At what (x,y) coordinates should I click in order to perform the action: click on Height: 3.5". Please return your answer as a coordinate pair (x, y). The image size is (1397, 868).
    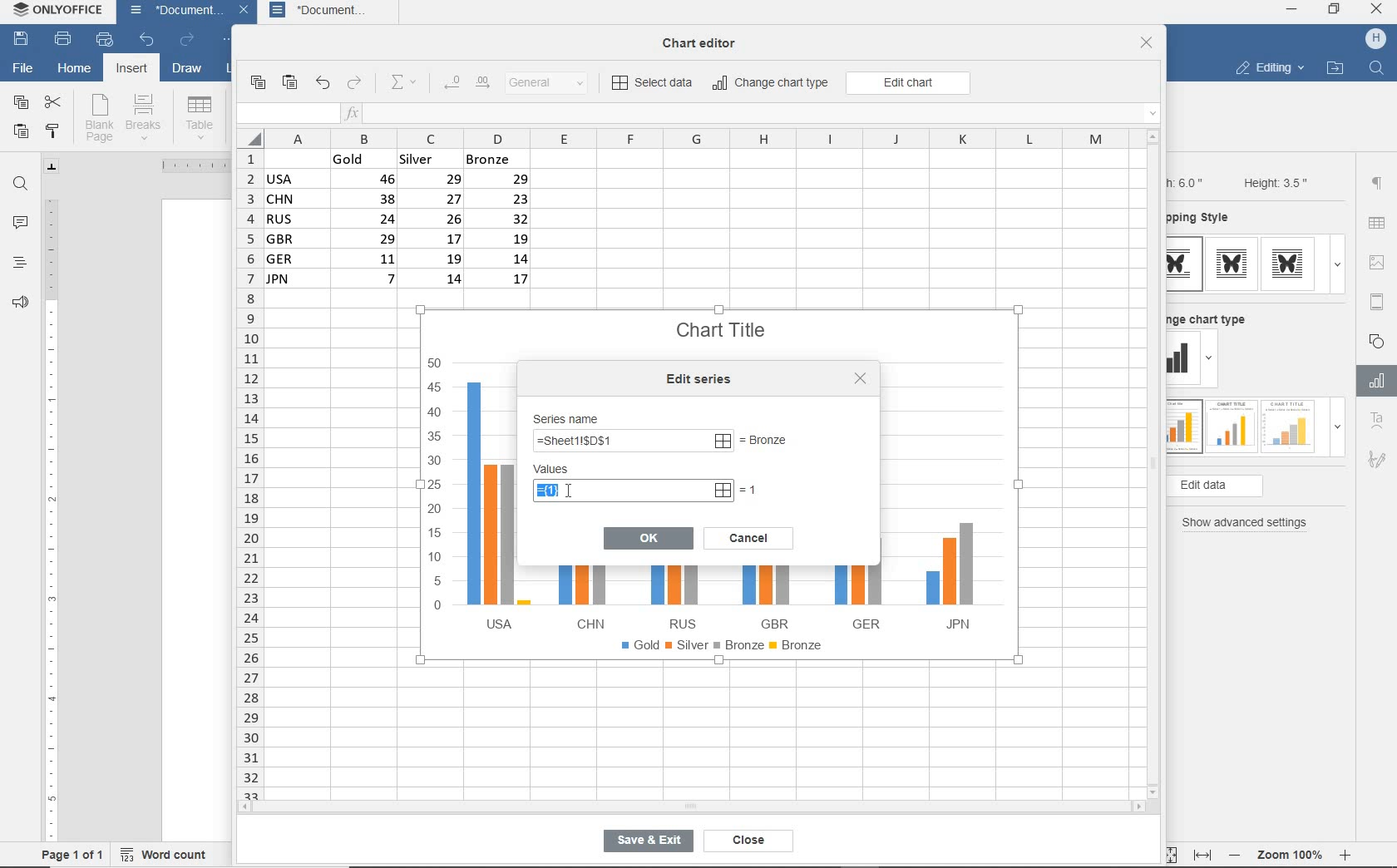
    Looking at the image, I should click on (1273, 182).